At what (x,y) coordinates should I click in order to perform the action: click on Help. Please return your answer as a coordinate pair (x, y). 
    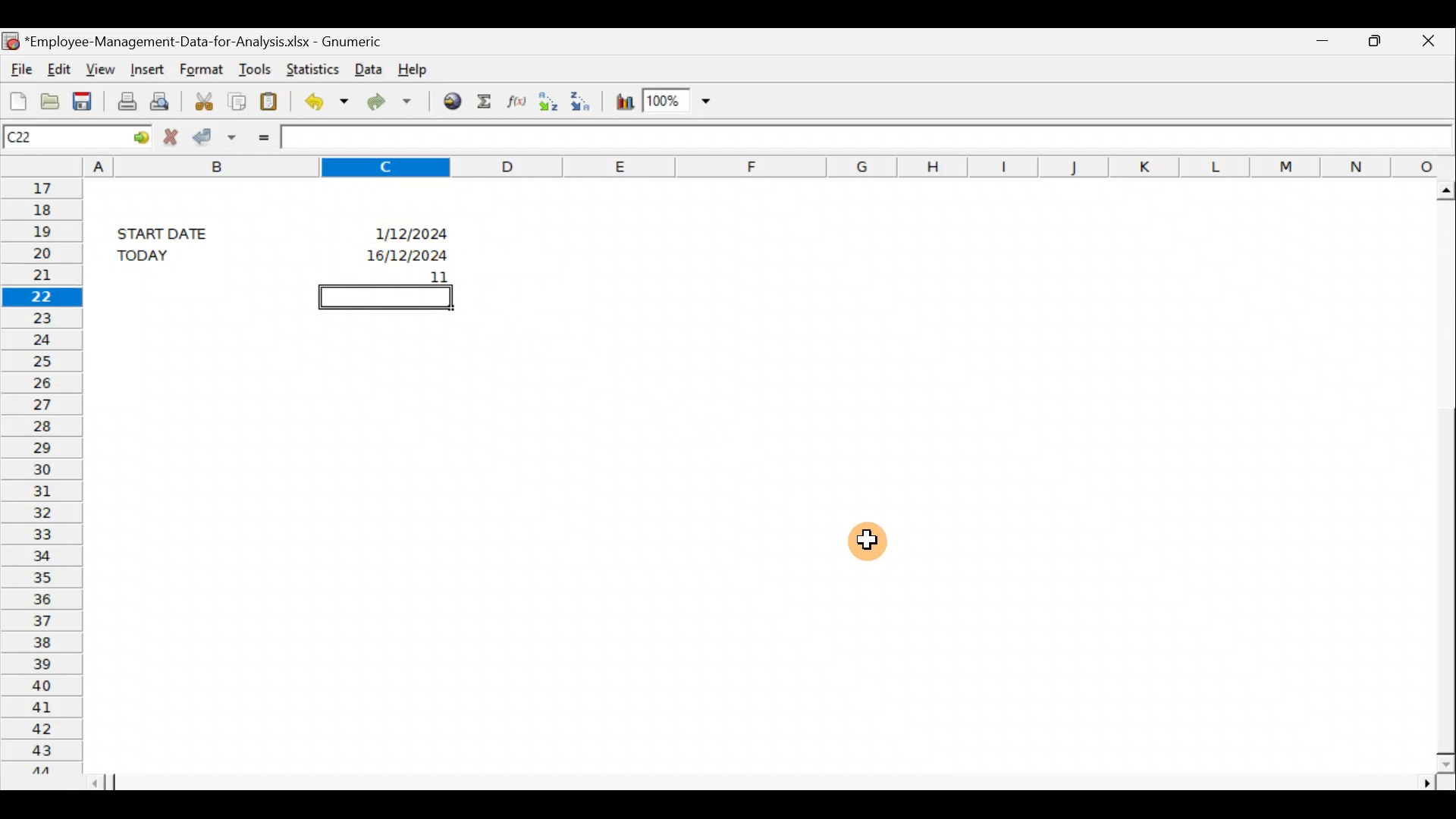
    Looking at the image, I should click on (423, 71).